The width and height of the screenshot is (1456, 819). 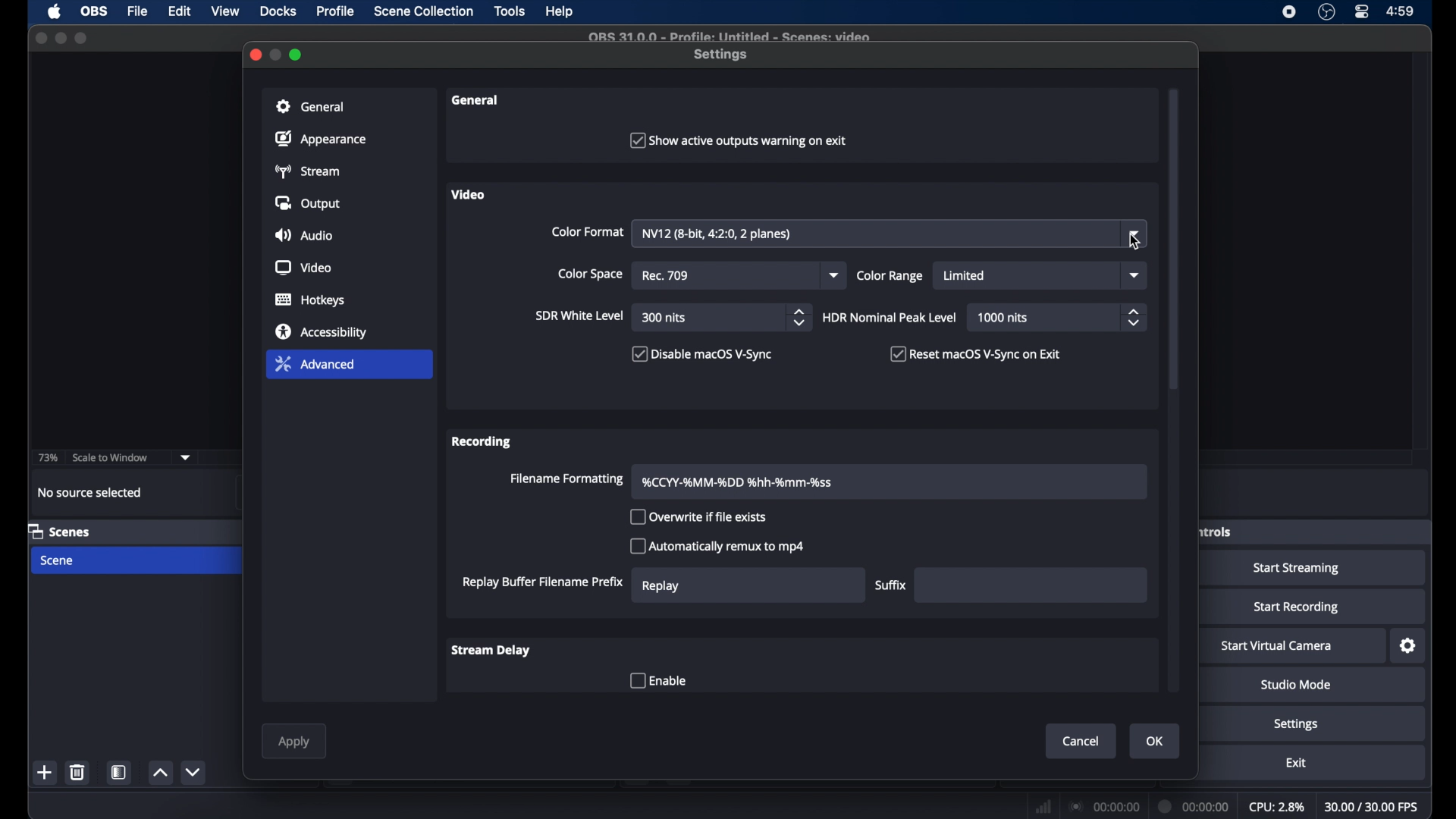 What do you see at coordinates (93, 11) in the screenshot?
I see `obs` at bounding box center [93, 11].